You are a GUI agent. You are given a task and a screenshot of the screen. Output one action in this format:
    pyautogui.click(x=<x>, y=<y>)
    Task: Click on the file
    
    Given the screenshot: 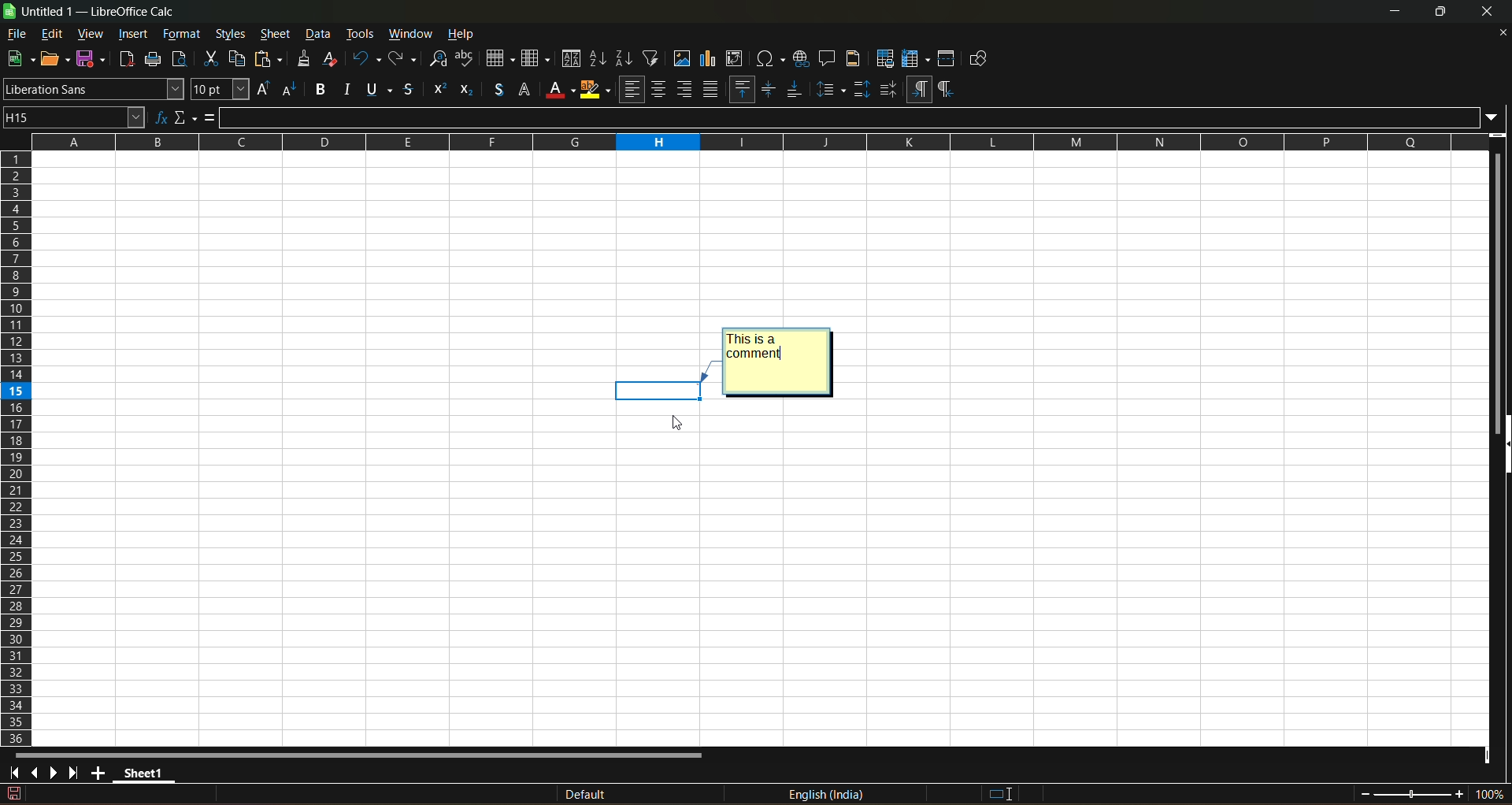 What is the action you would take?
    pyautogui.click(x=17, y=35)
    